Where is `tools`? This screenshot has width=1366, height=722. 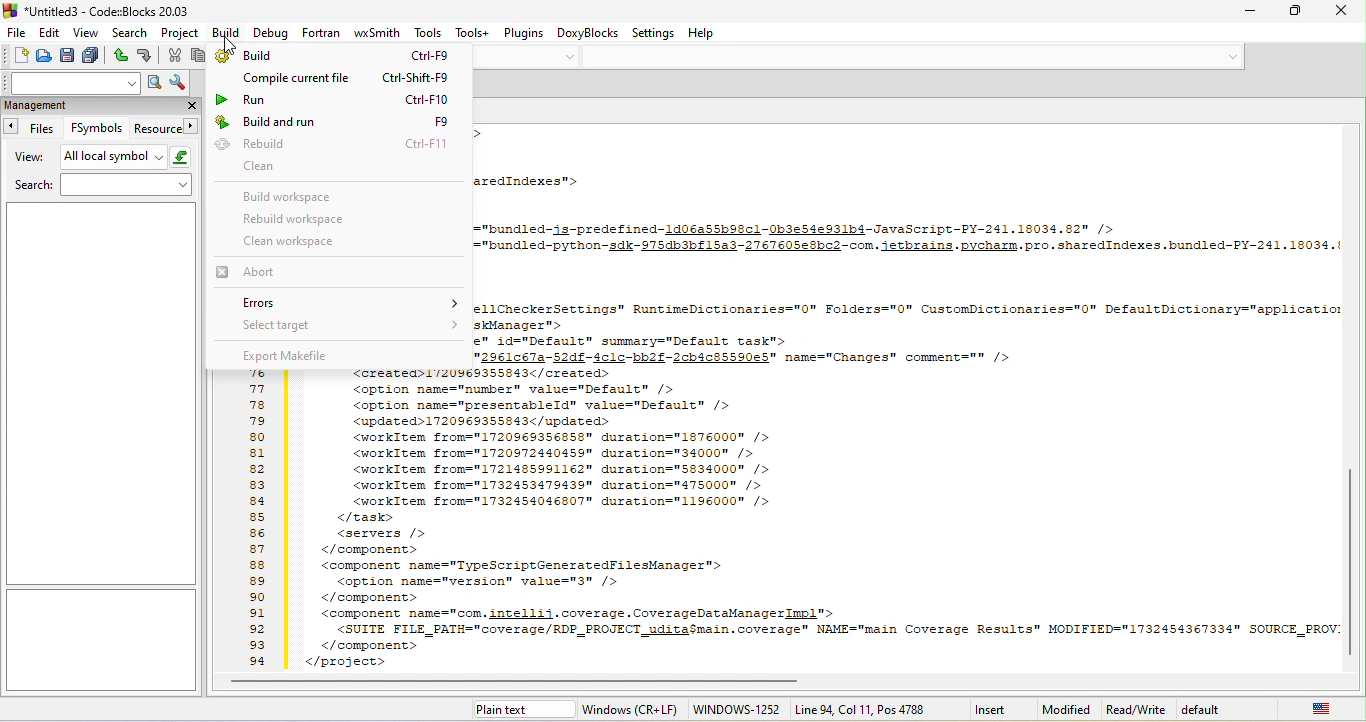 tools is located at coordinates (426, 32).